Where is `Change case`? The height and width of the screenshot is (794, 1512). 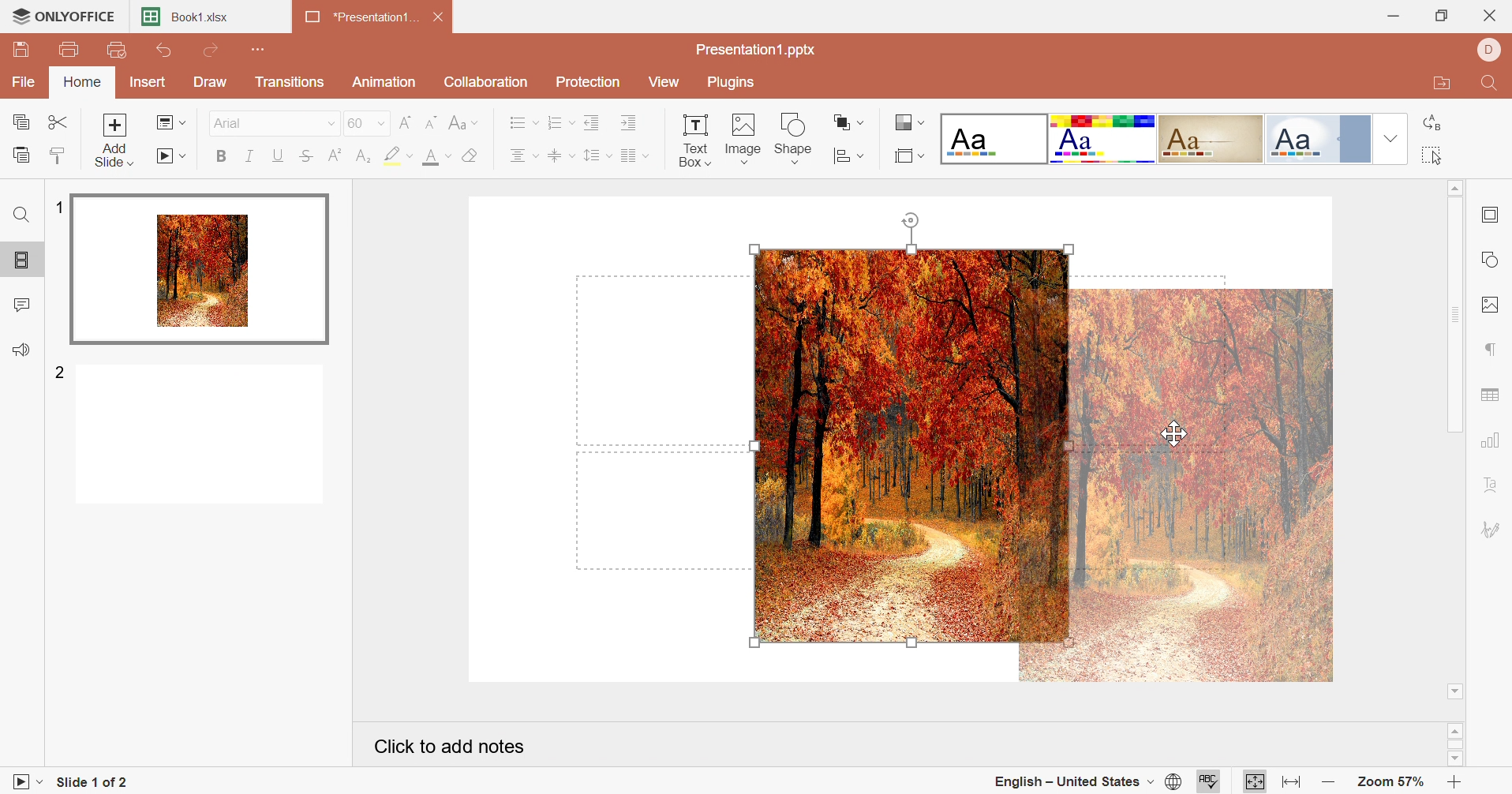
Change case is located at coordinates (467, 125).